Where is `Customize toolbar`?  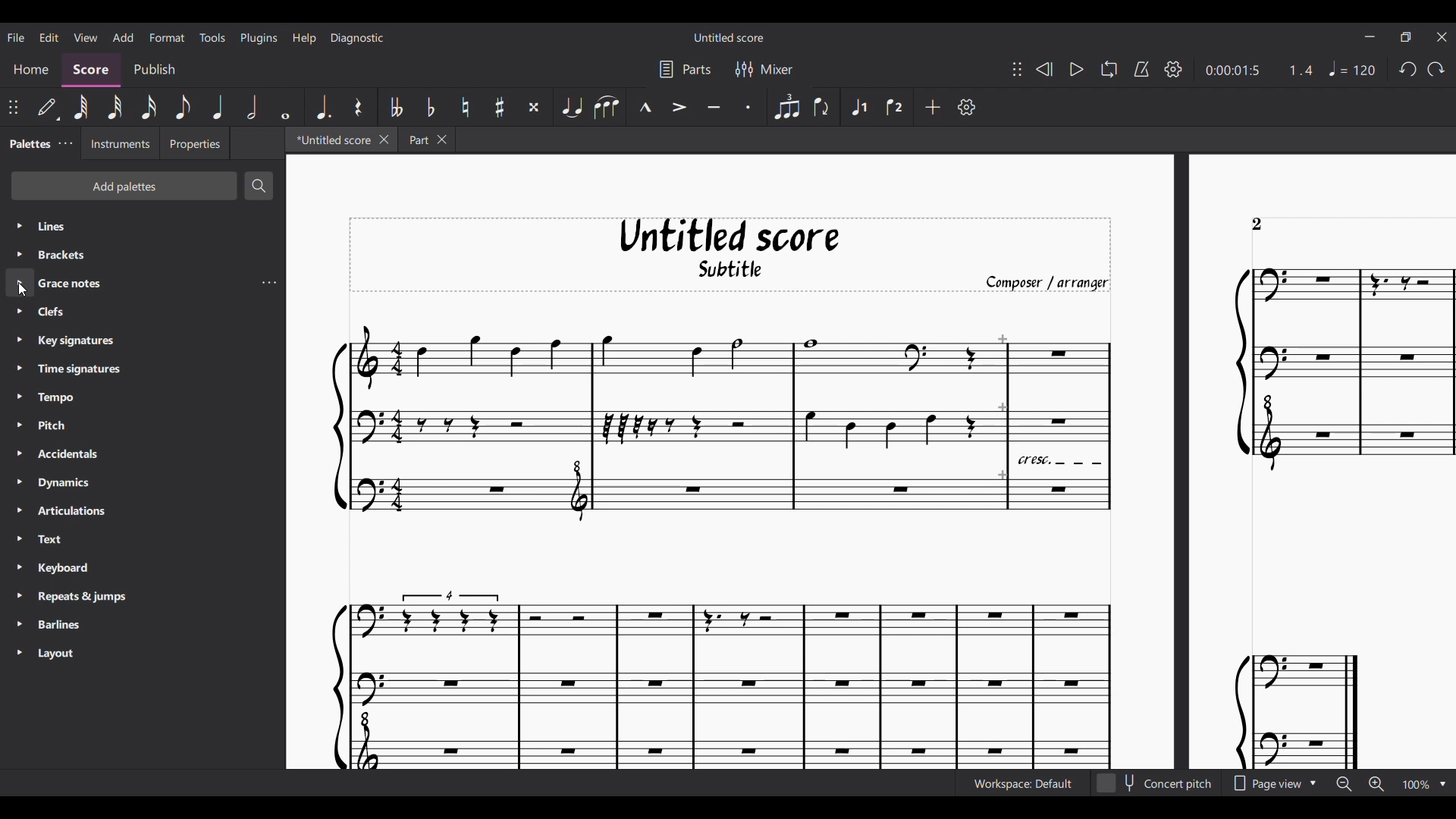 Customize toolbar is located at coordinates (967, 107).